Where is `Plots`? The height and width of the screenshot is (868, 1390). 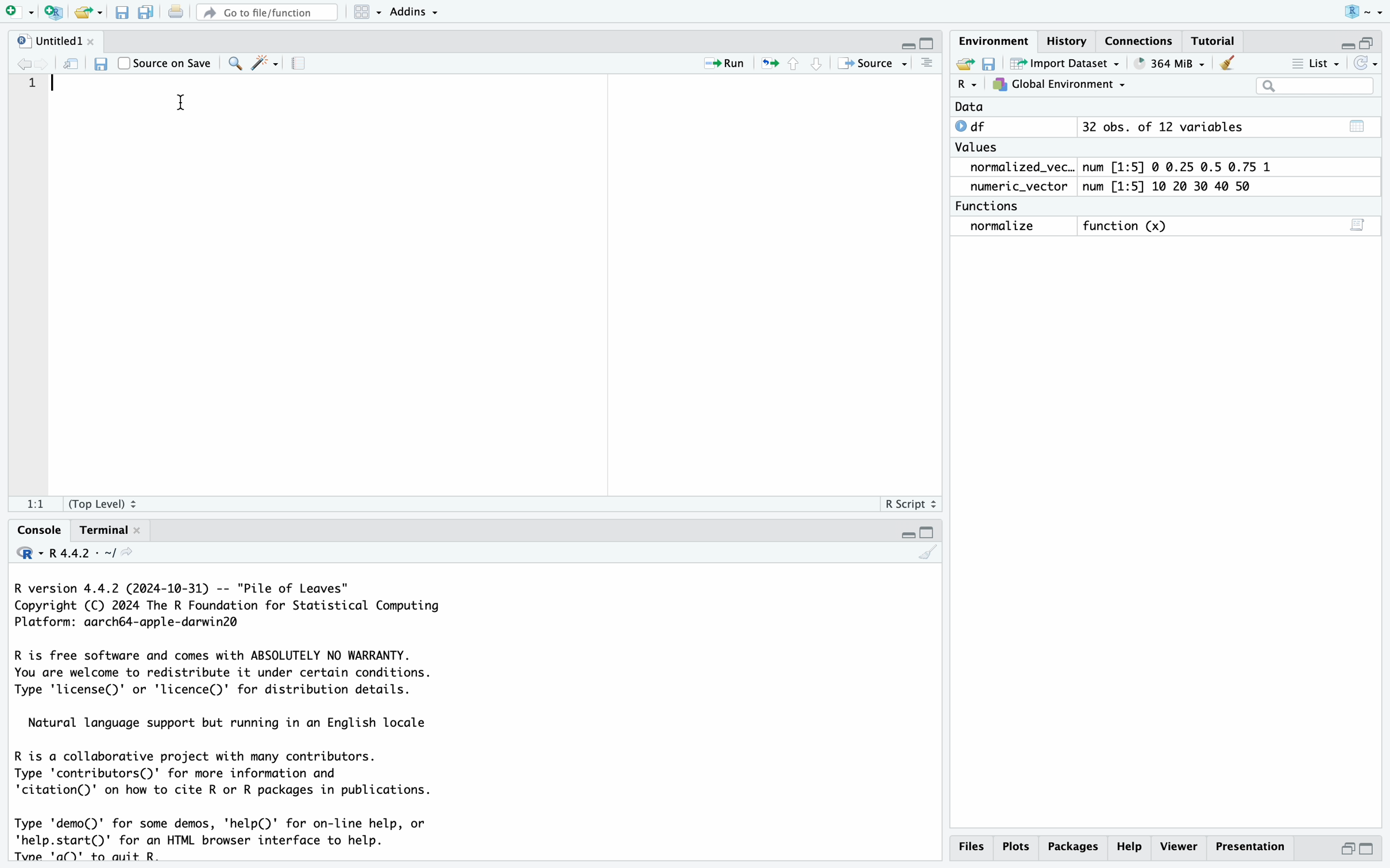
Plots is located at coordinates (1017, 846).